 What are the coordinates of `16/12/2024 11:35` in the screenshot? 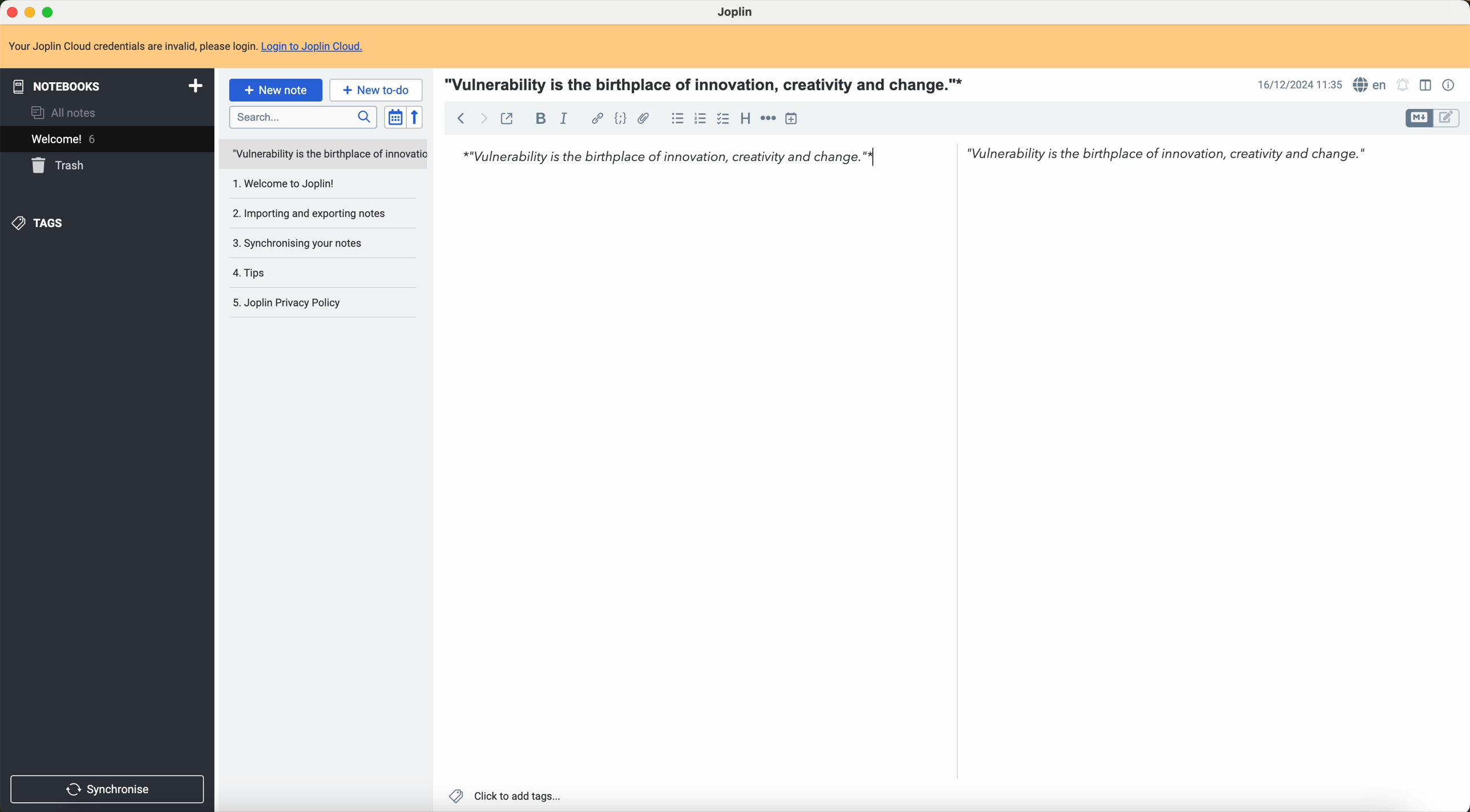 It's located at (1297, 85).